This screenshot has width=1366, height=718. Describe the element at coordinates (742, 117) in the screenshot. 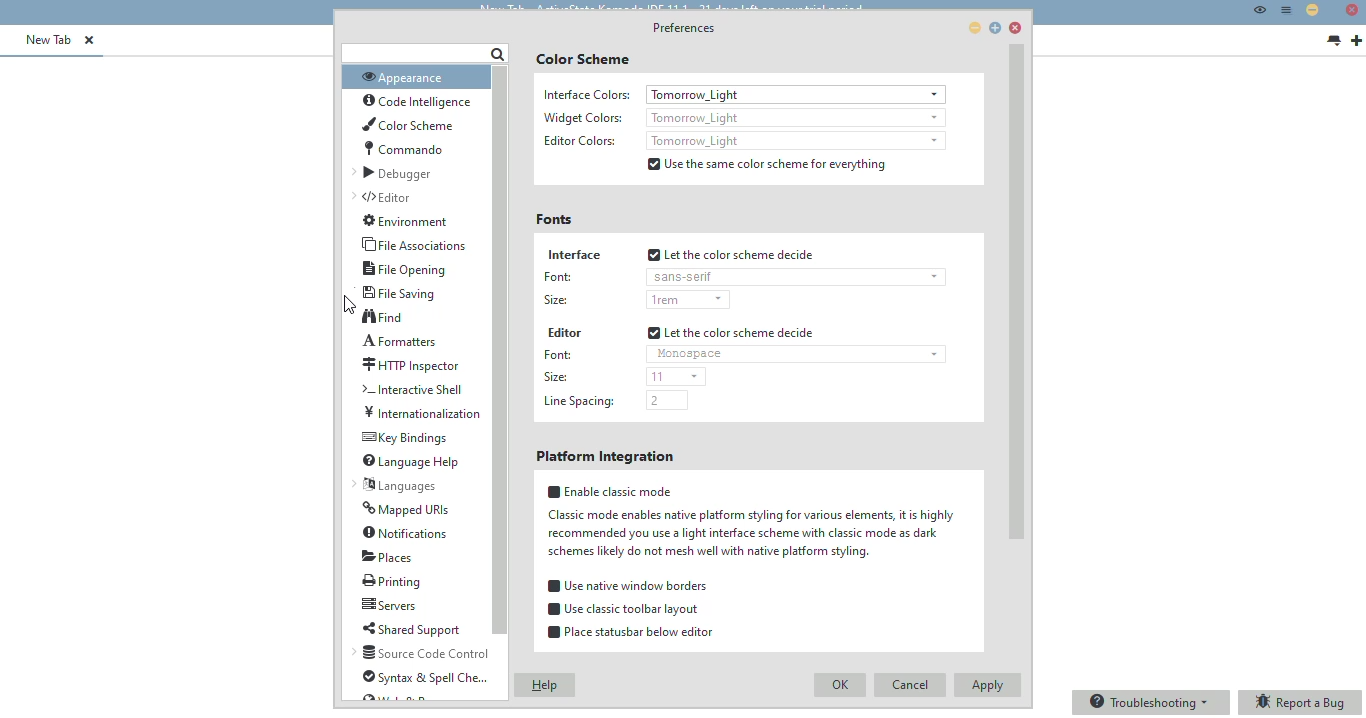

I see `widget colors: tomorrow_light` at that location.